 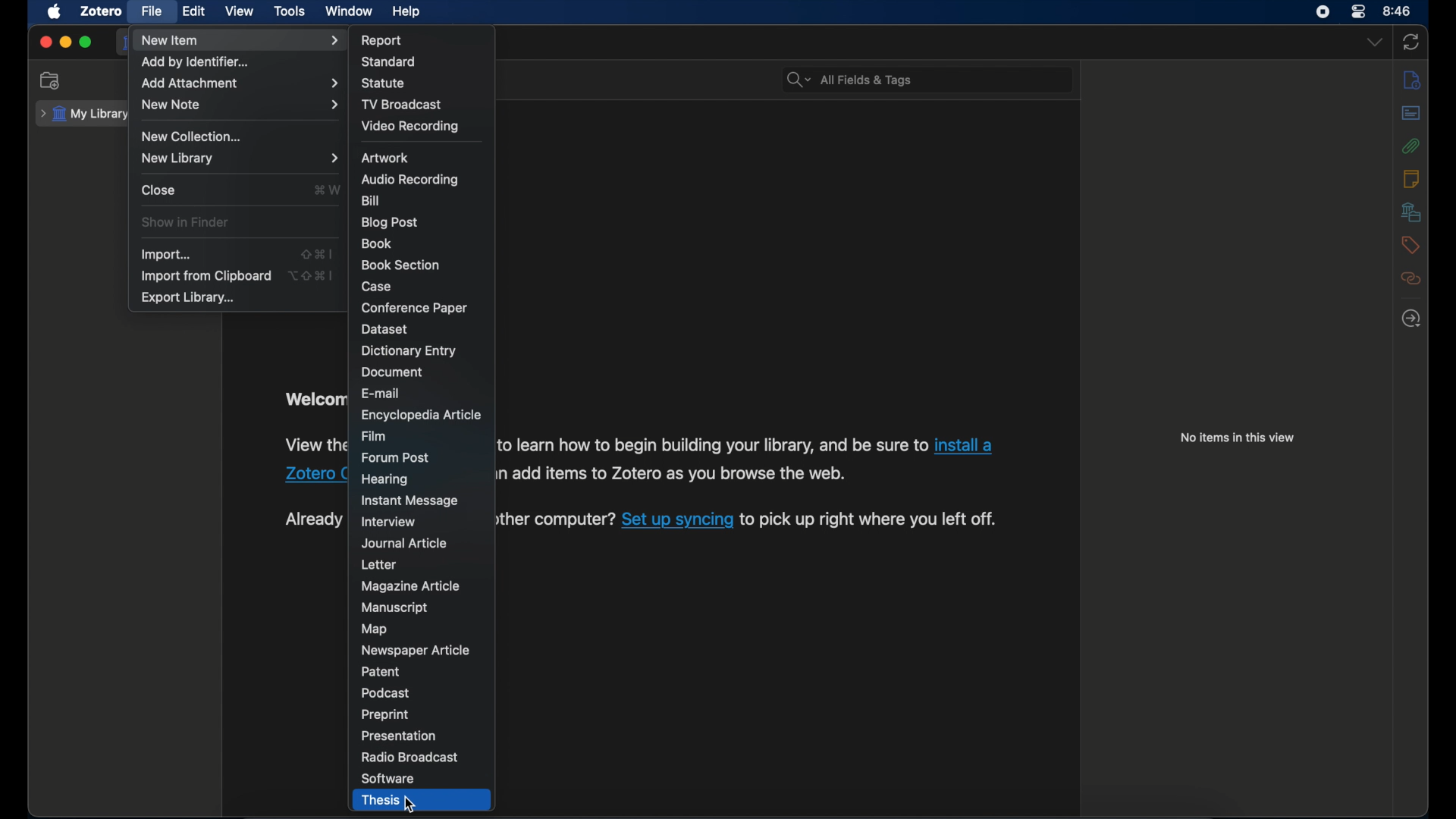 I want to click on book section, so click(x=399, y=264).